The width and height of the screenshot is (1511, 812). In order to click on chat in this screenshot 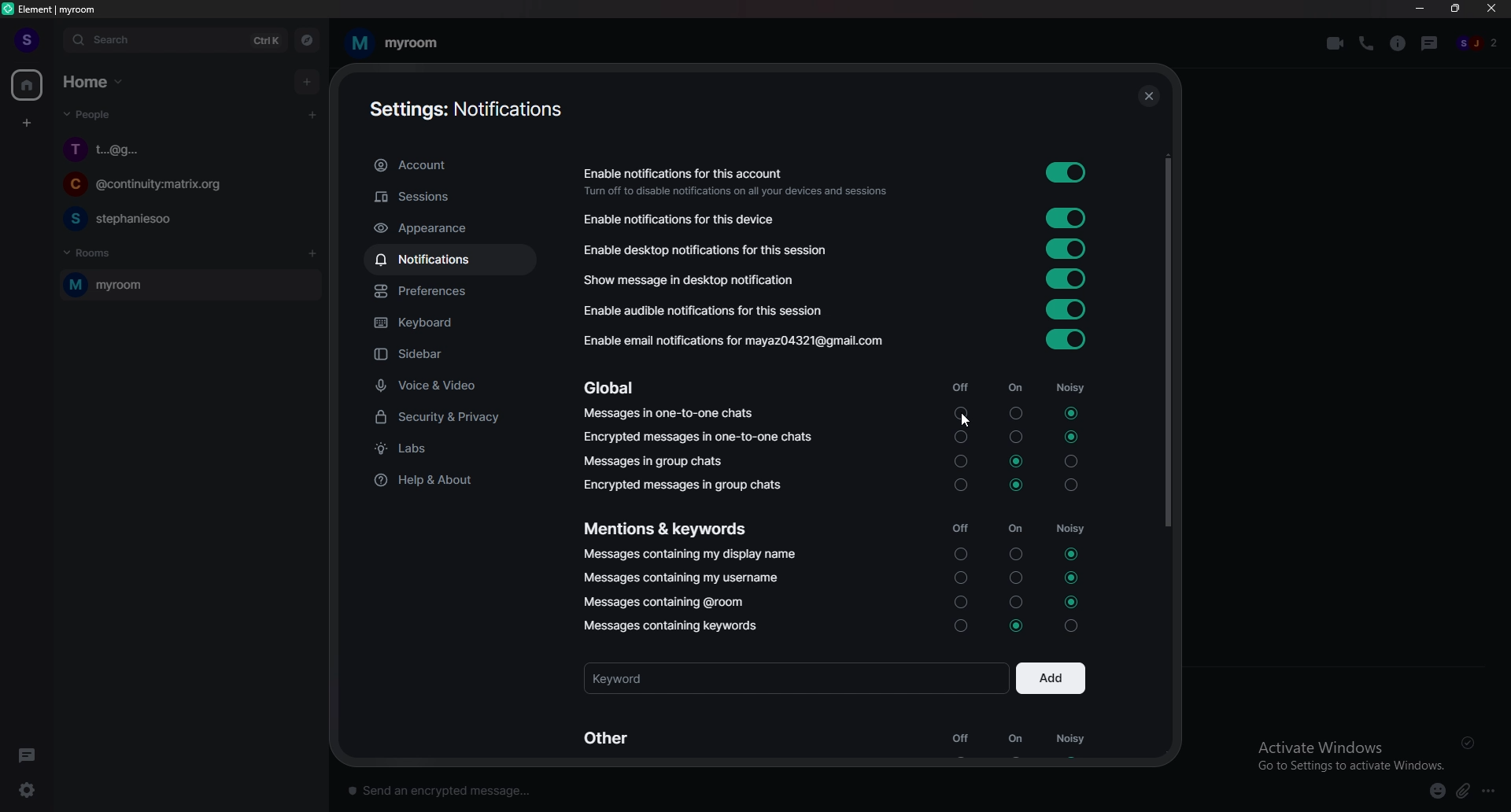, I will do `click(182, 150)`.